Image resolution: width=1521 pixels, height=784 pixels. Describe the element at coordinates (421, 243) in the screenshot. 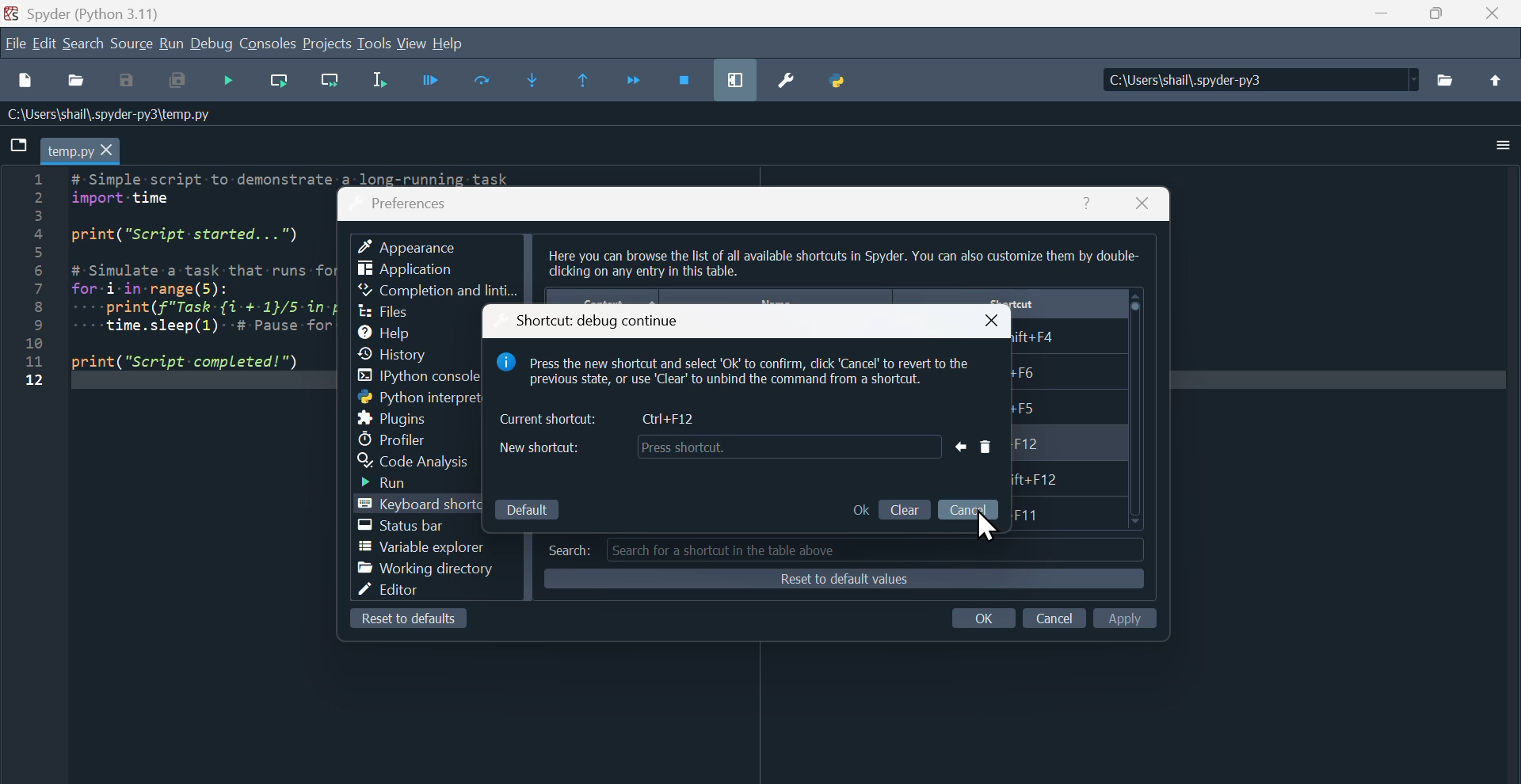

I see `Appearance` at that location.